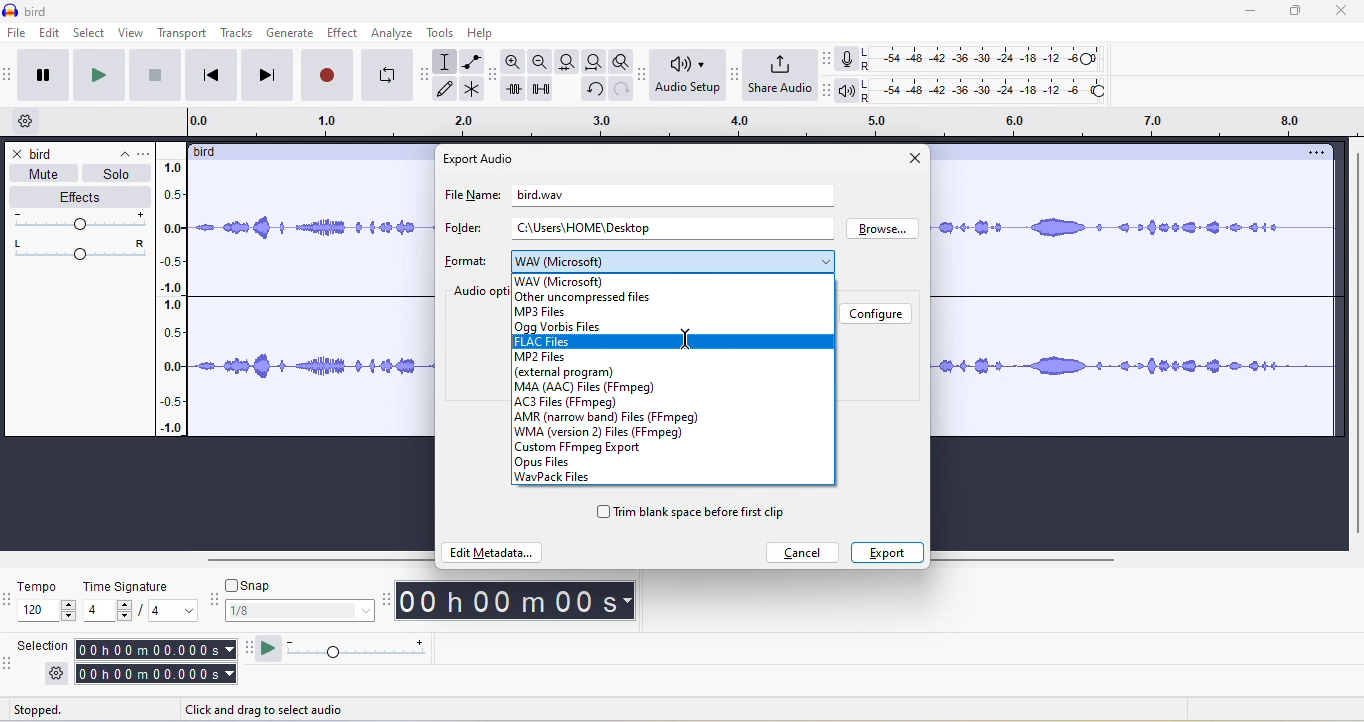  Describe the element at coordinates (44, 648) in the screenshot. I see `selection` at that location.